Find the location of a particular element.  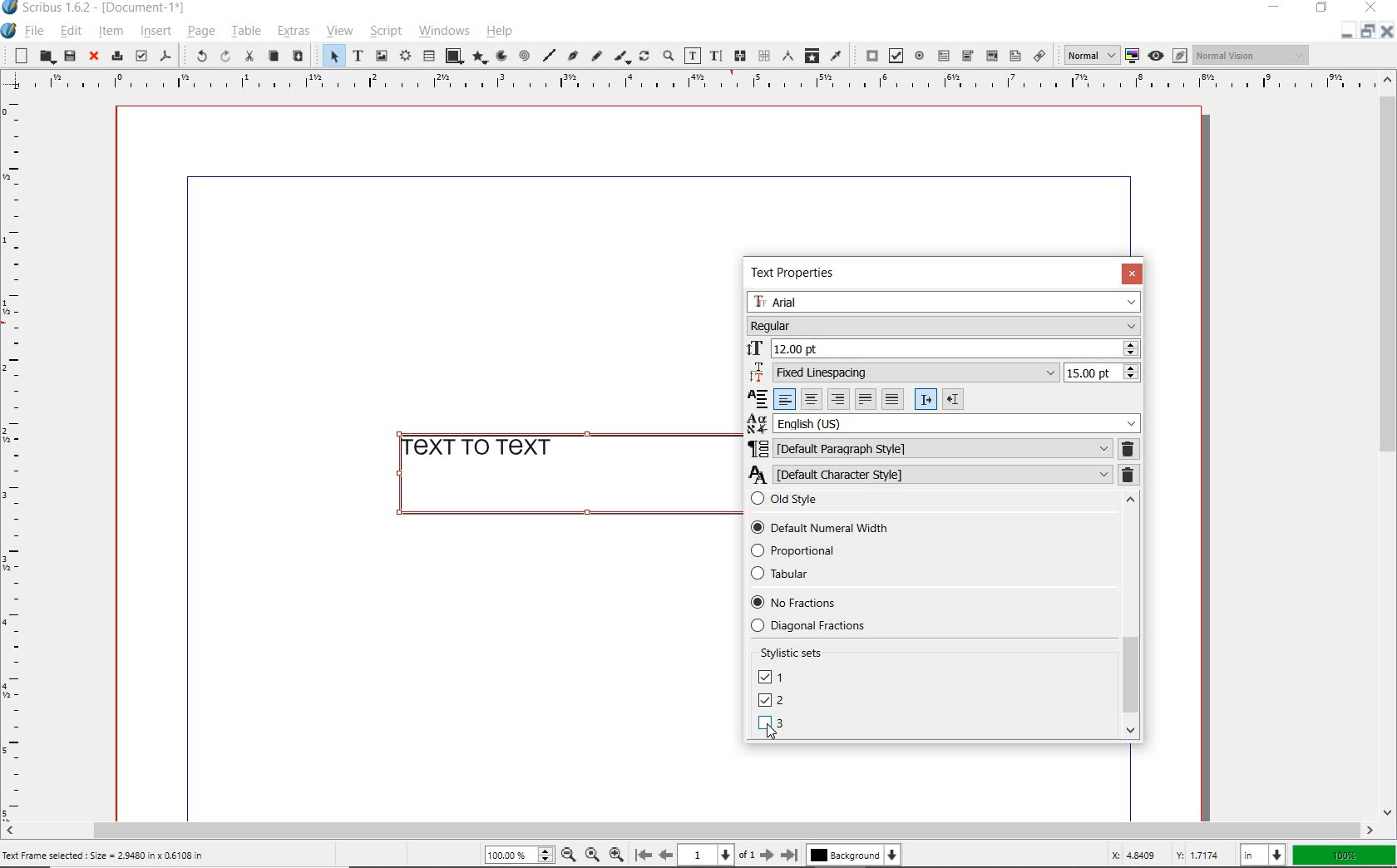

Zoom in is located at coordinates (616, 853).